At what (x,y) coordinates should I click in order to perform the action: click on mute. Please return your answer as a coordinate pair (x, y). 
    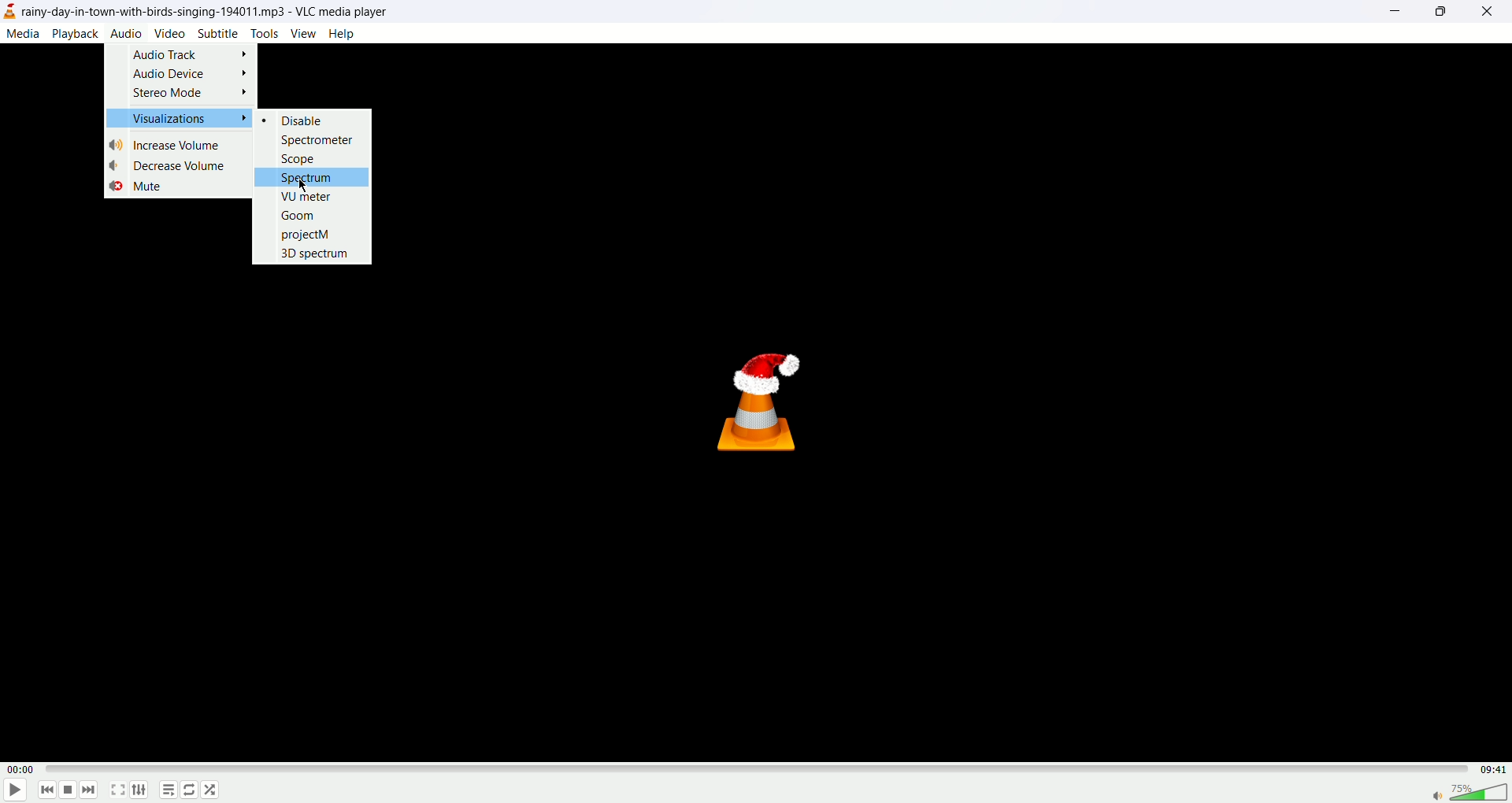
    Looking at the image, I should click on (136, 187).